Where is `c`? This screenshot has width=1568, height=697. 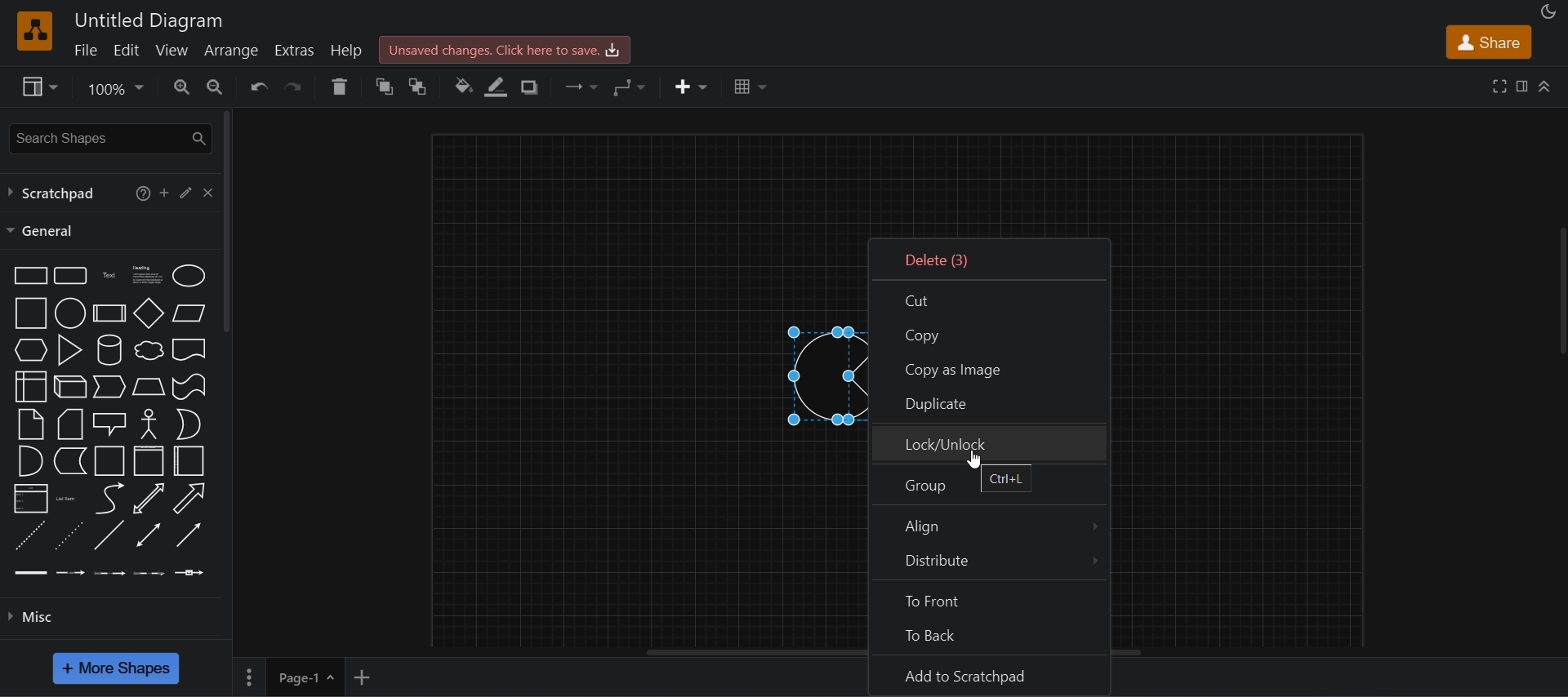
c is located at coordinates (208, 191).